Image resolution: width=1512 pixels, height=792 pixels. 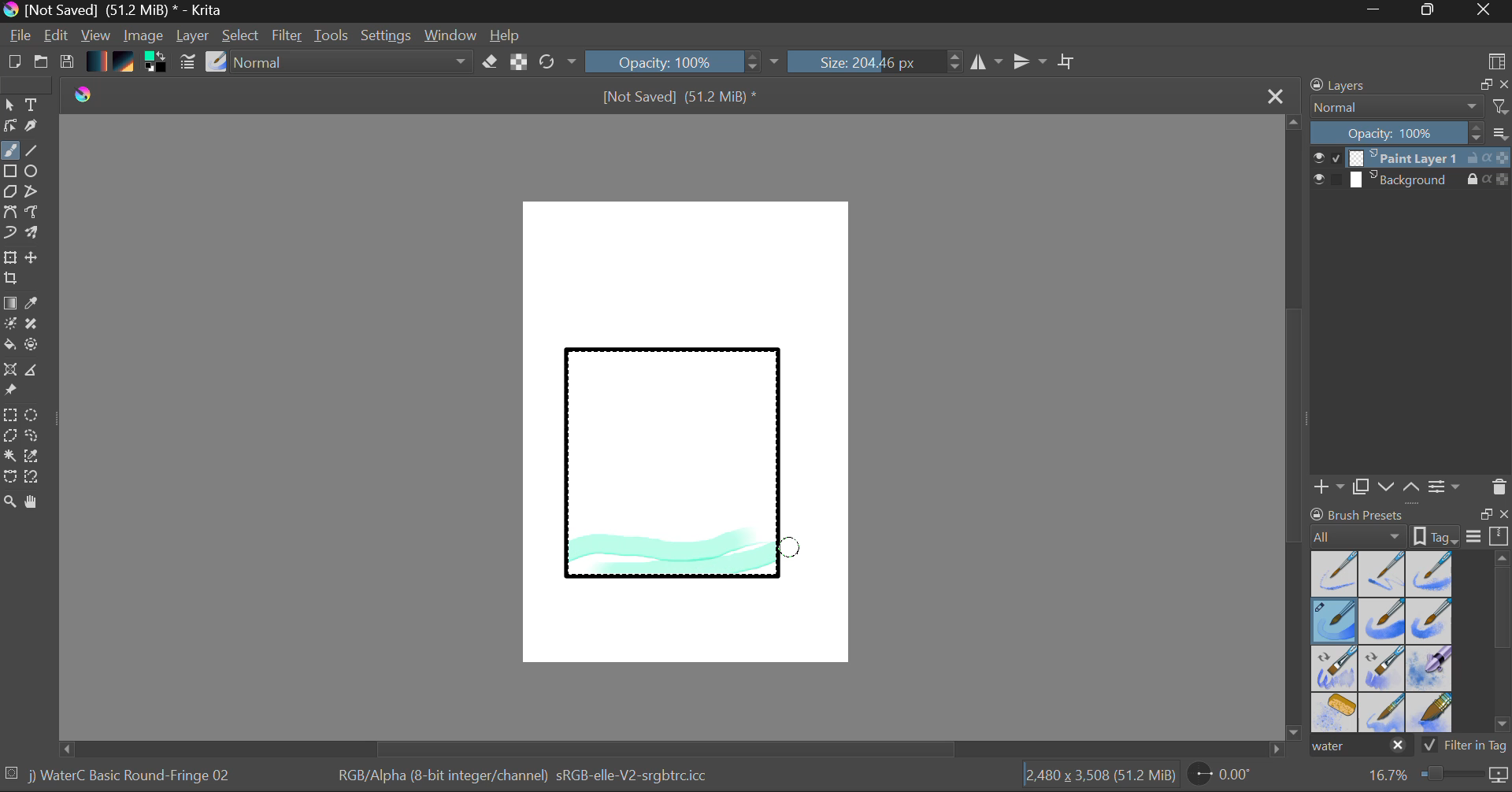 What do you see at coordinates (10, 302) in the screenshot?
I see `Fill Gradient` at bounding box center [10, 302].